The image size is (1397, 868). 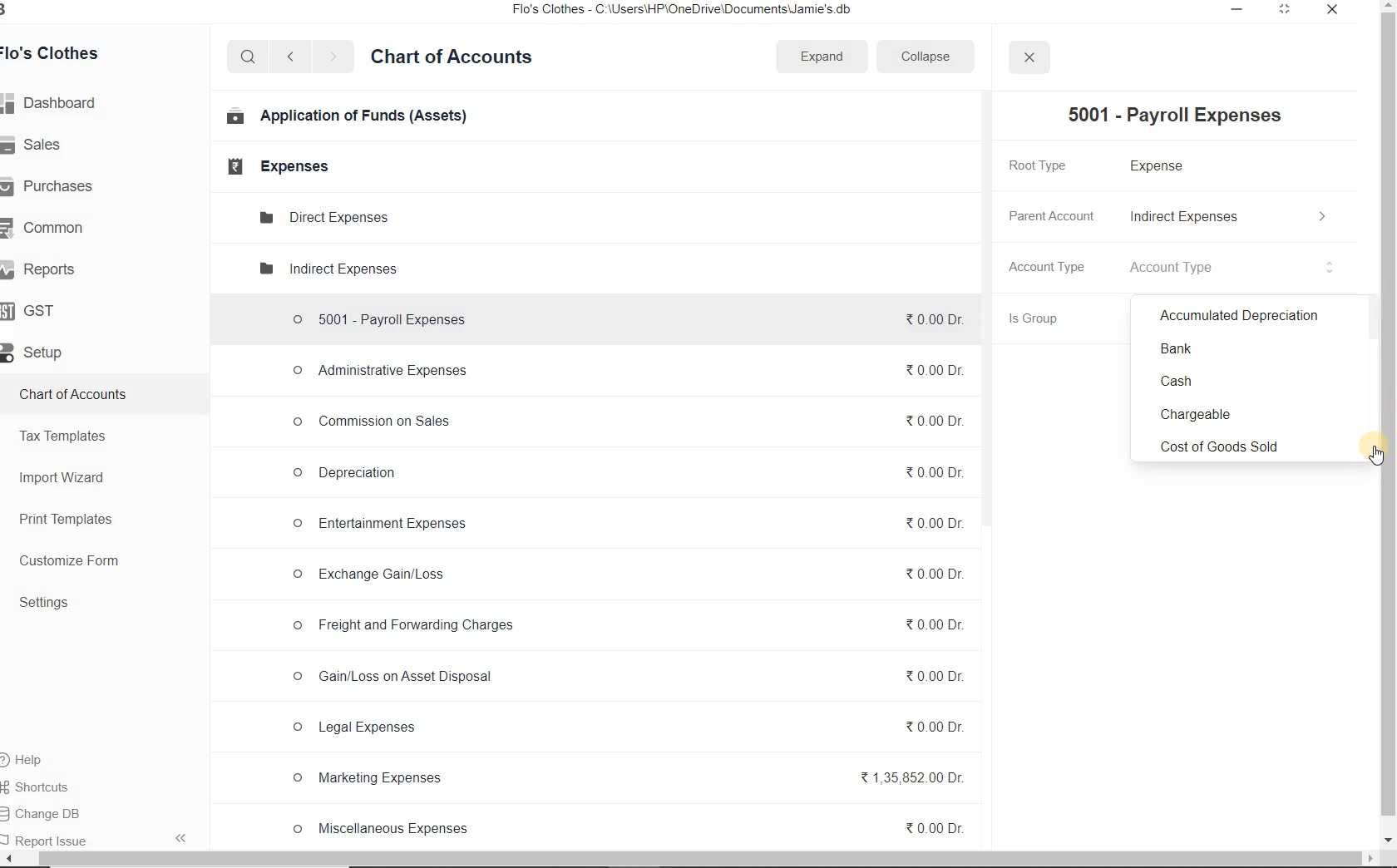 I want to click on previous, so click(x=289, y=57).